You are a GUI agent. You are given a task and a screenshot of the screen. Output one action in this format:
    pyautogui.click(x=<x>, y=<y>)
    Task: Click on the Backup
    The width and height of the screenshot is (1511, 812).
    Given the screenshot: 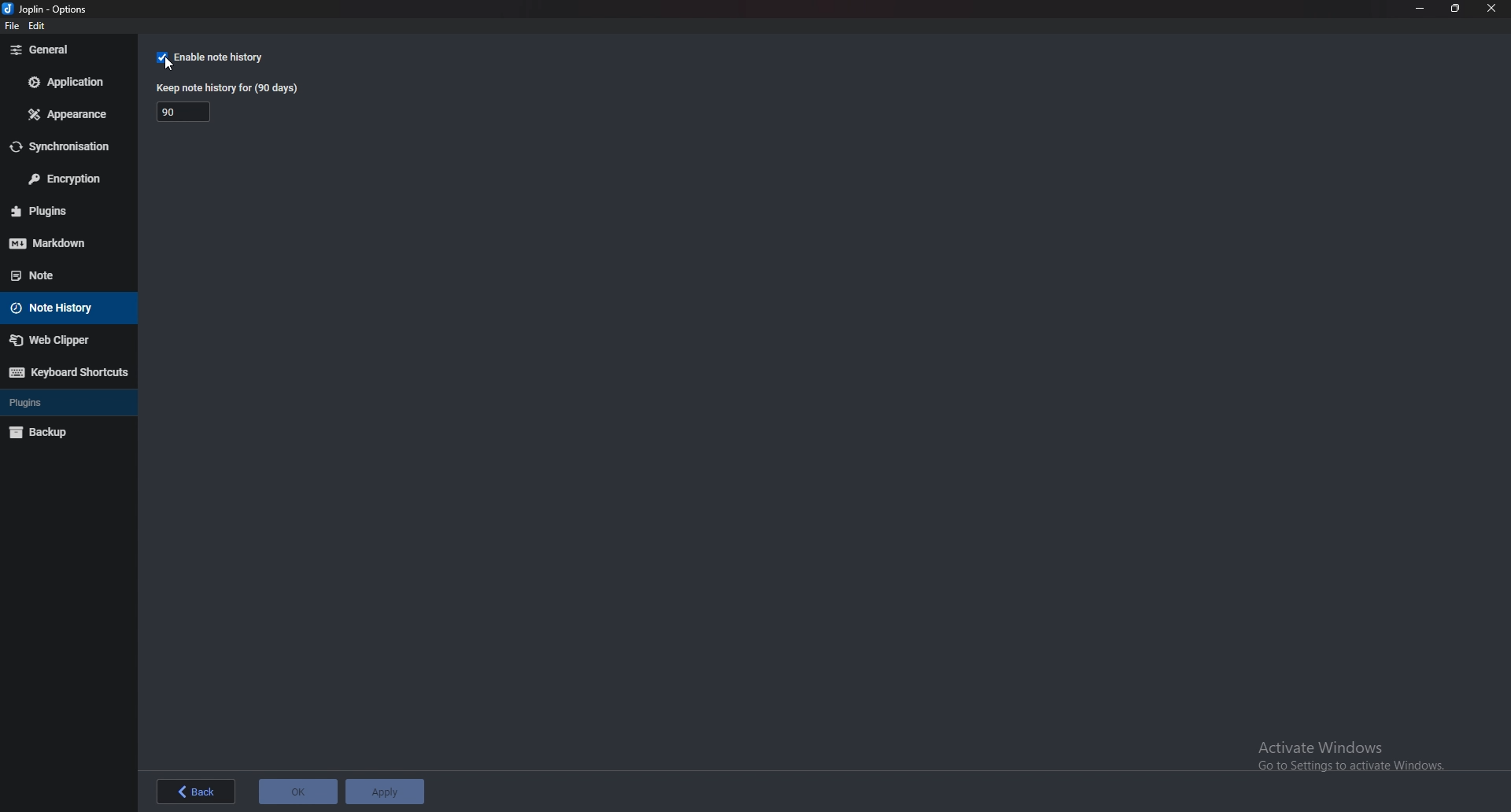 What is the action you would take?
    pyautogui.click(x=63, y=432)
    